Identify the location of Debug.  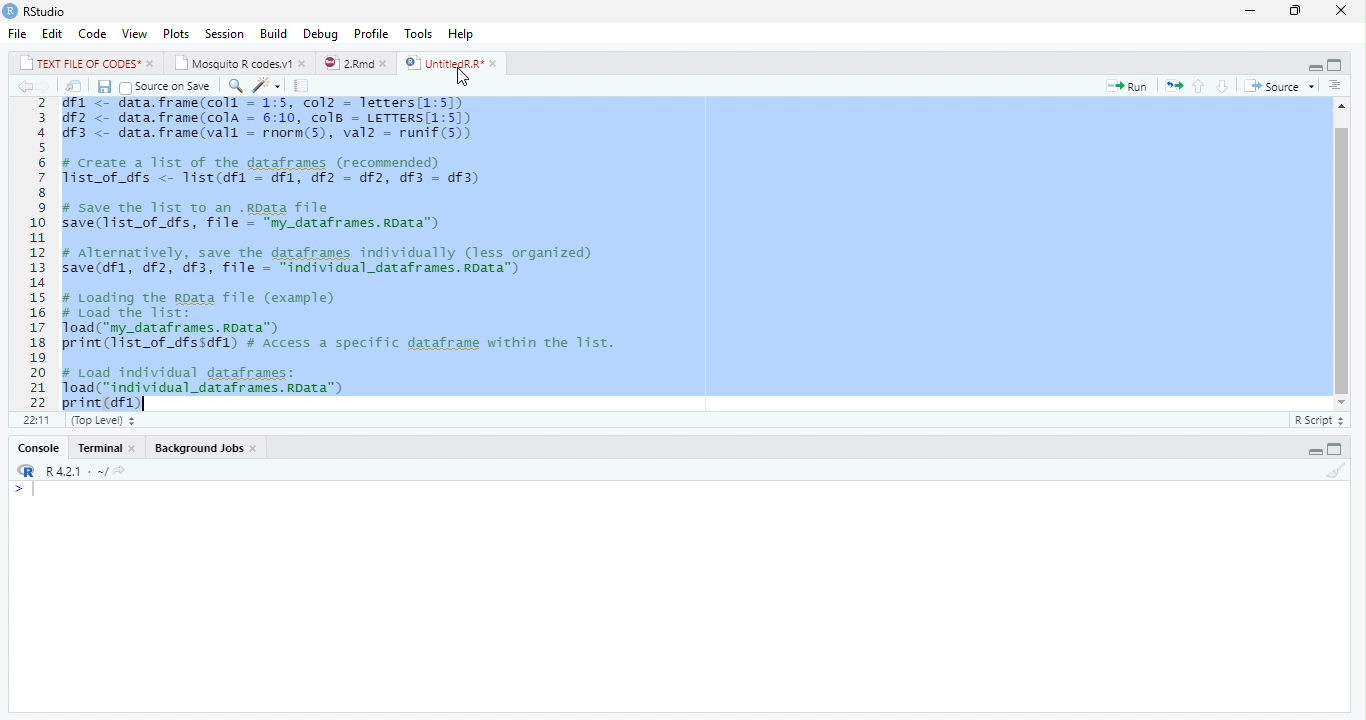
(321, 33).